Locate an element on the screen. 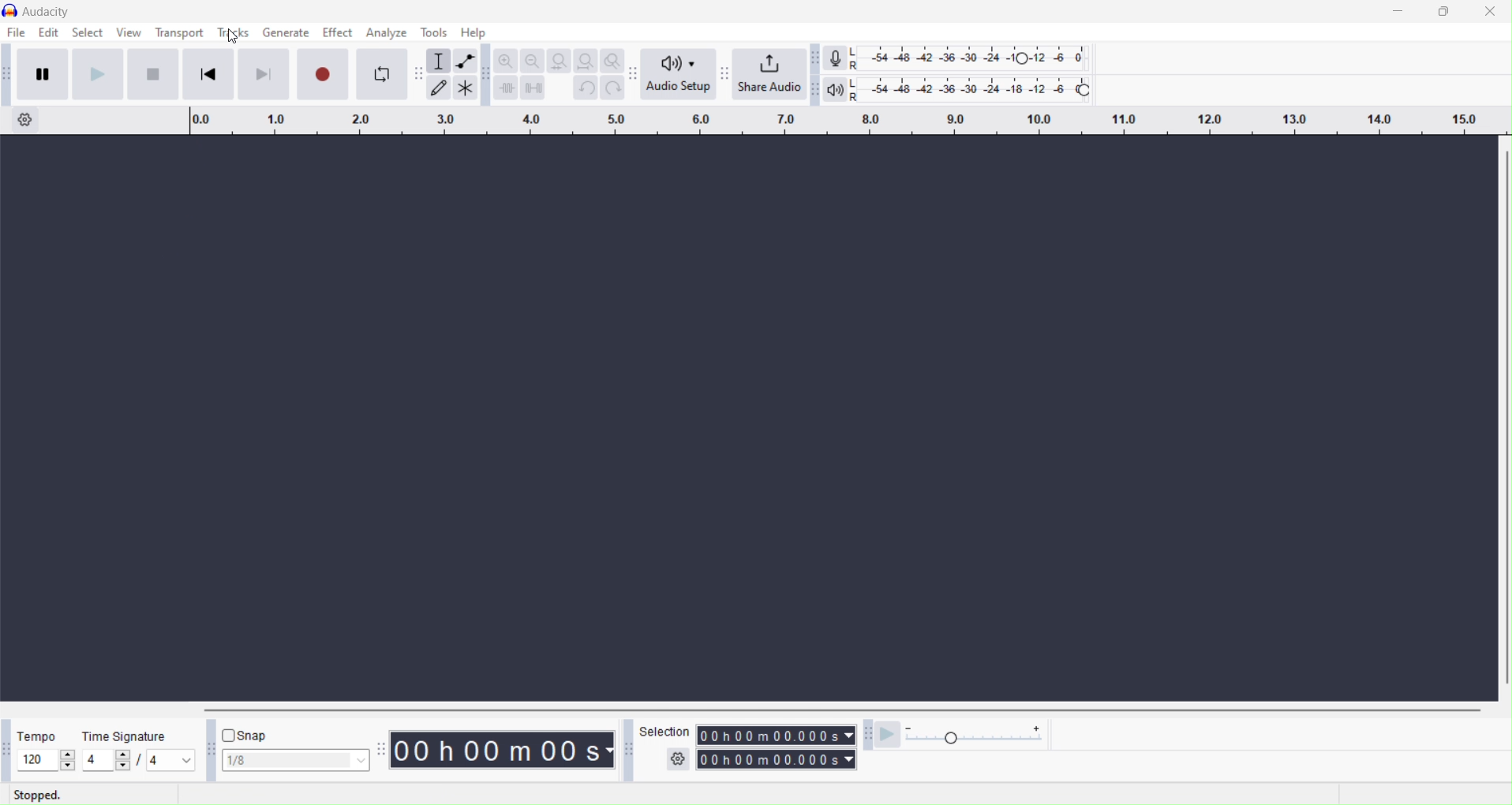 Image resolution: width=1512 pixels, height=805 pixels. Playback level is located at coordinates (969, 89).